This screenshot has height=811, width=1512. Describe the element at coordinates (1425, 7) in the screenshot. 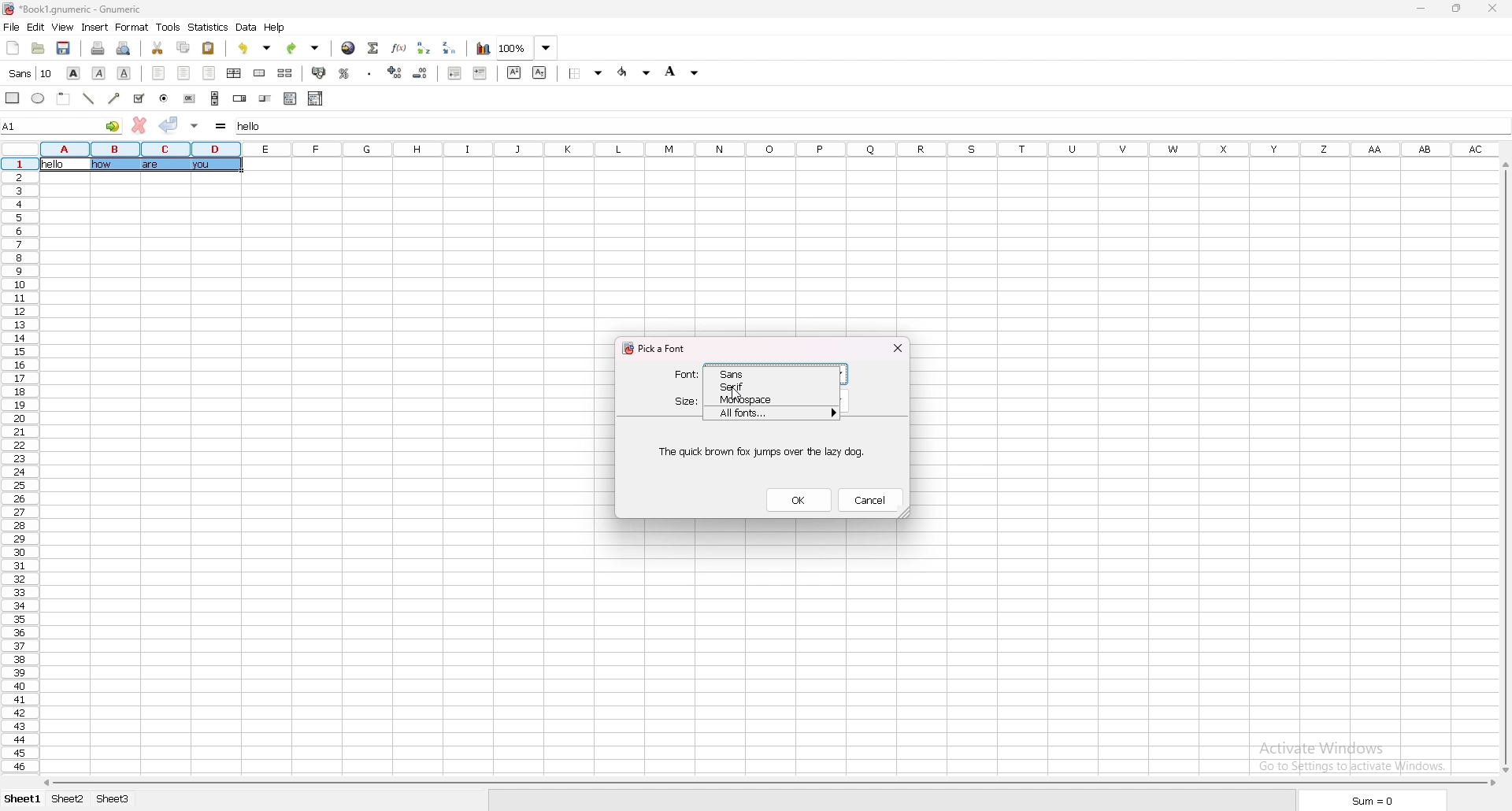

I see `minimize` at that location.